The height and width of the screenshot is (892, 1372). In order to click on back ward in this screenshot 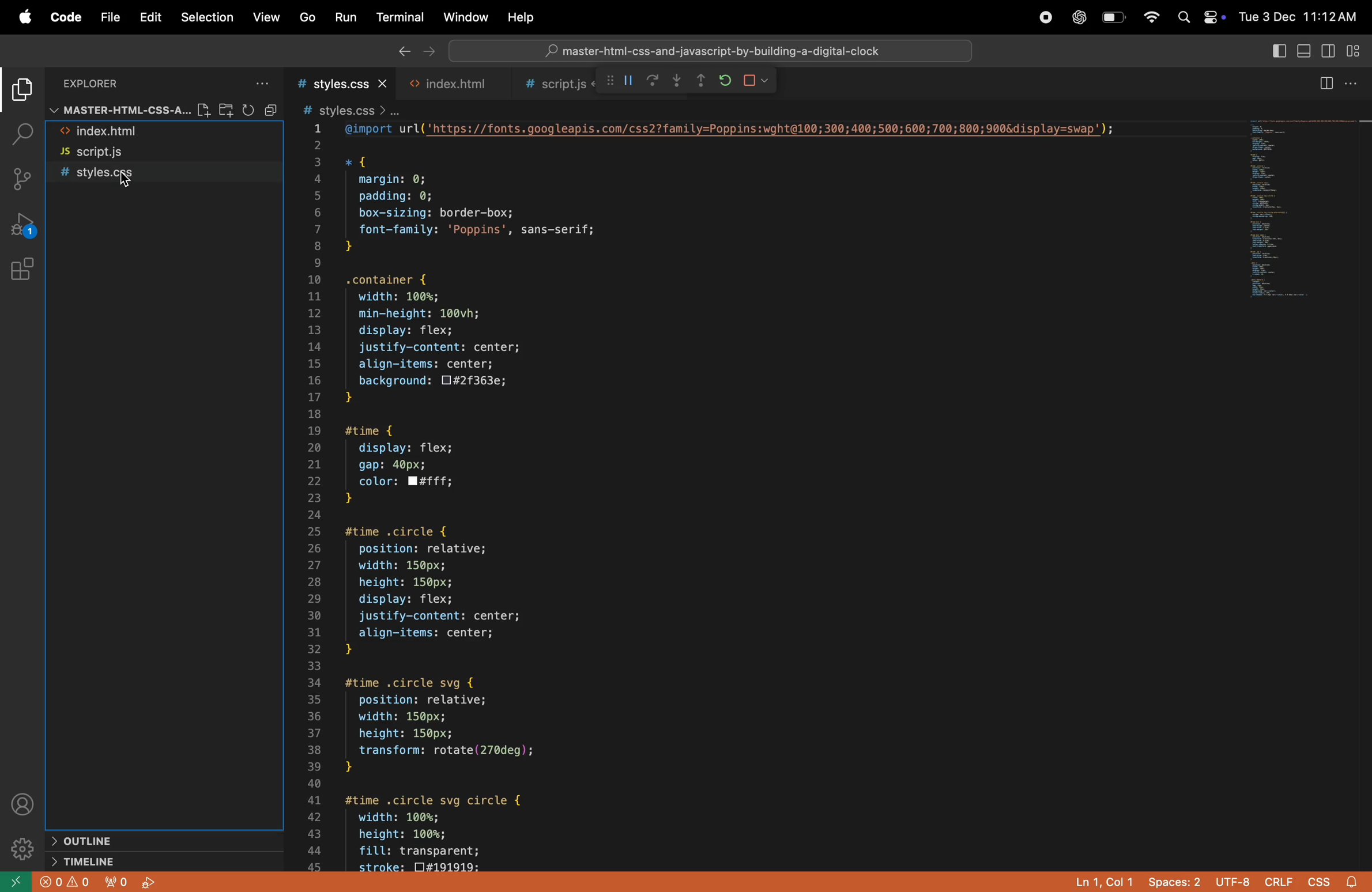, I will do `click(399, 52)`.